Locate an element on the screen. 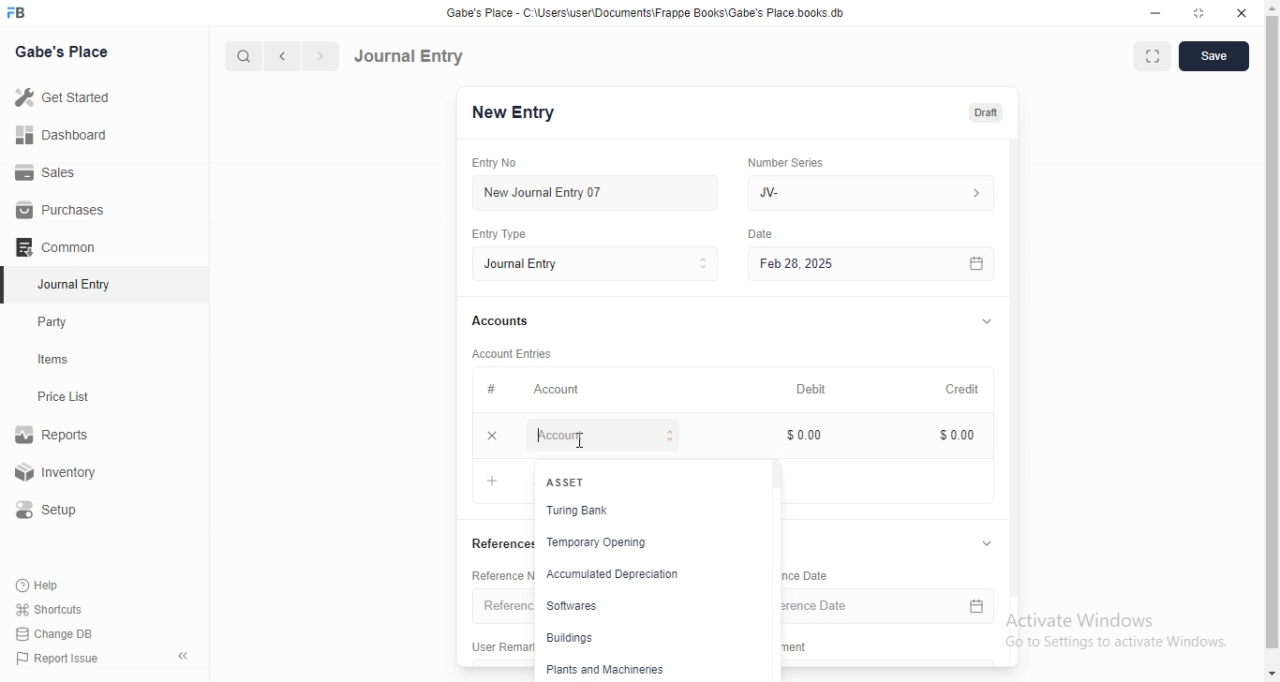 The width and height of the screenshot is (1280, 682). cursor is located at coordinates (580, 441).